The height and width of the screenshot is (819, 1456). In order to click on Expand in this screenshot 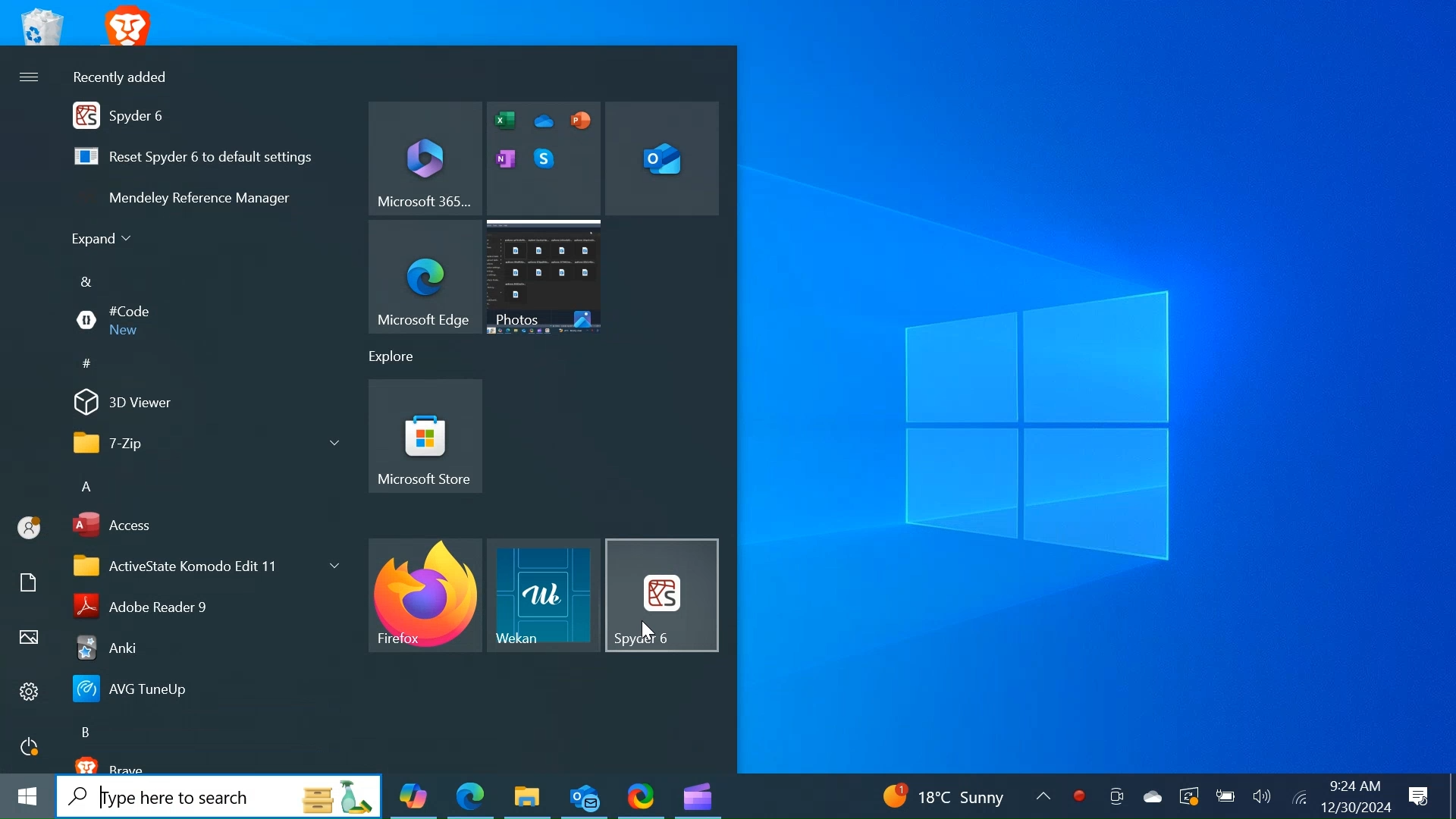, I will do `click(106, 240)`.